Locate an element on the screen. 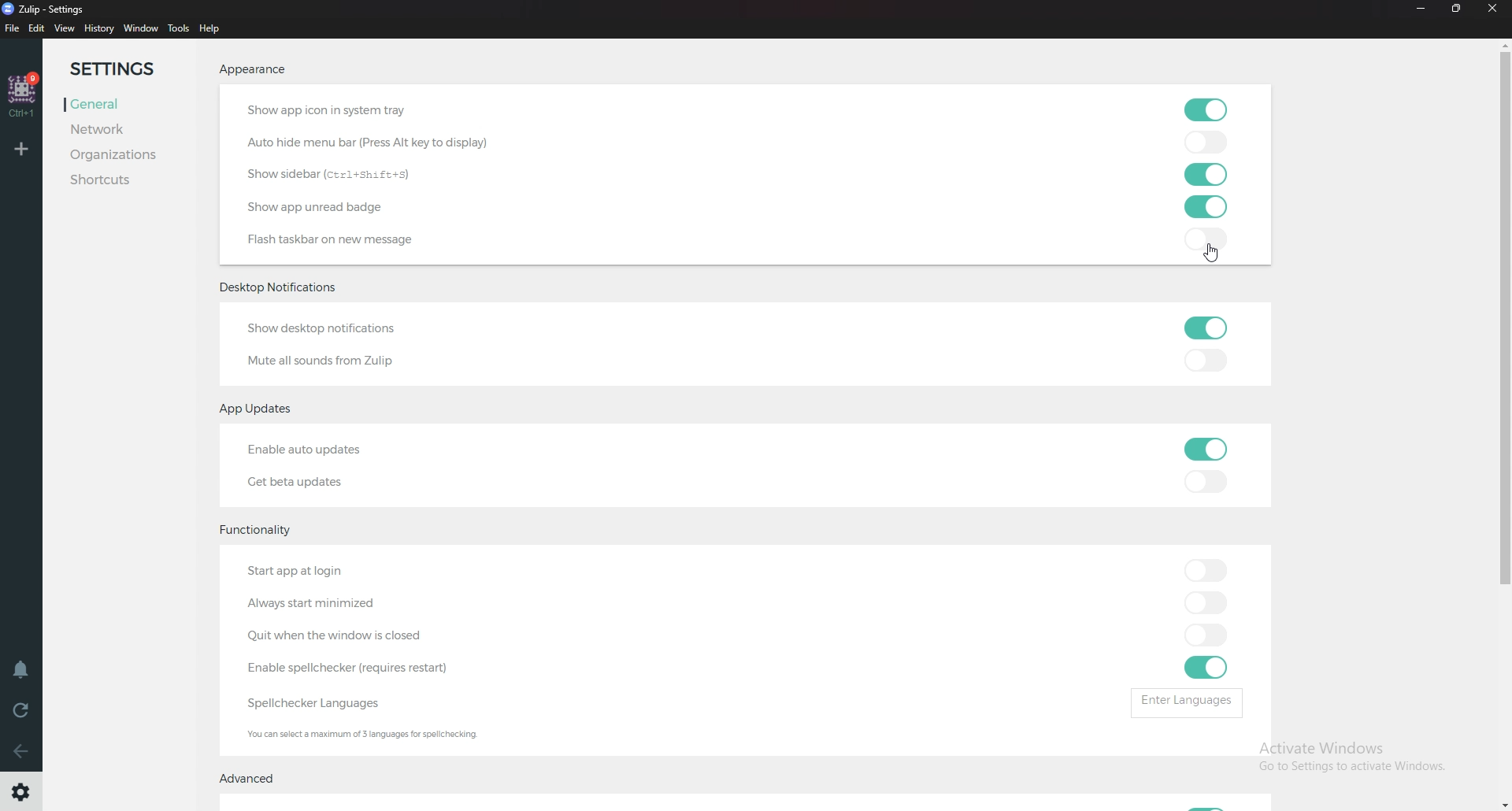 The height and width of the screenshot is (811, 1512). File is located at coordinates (13, 29).